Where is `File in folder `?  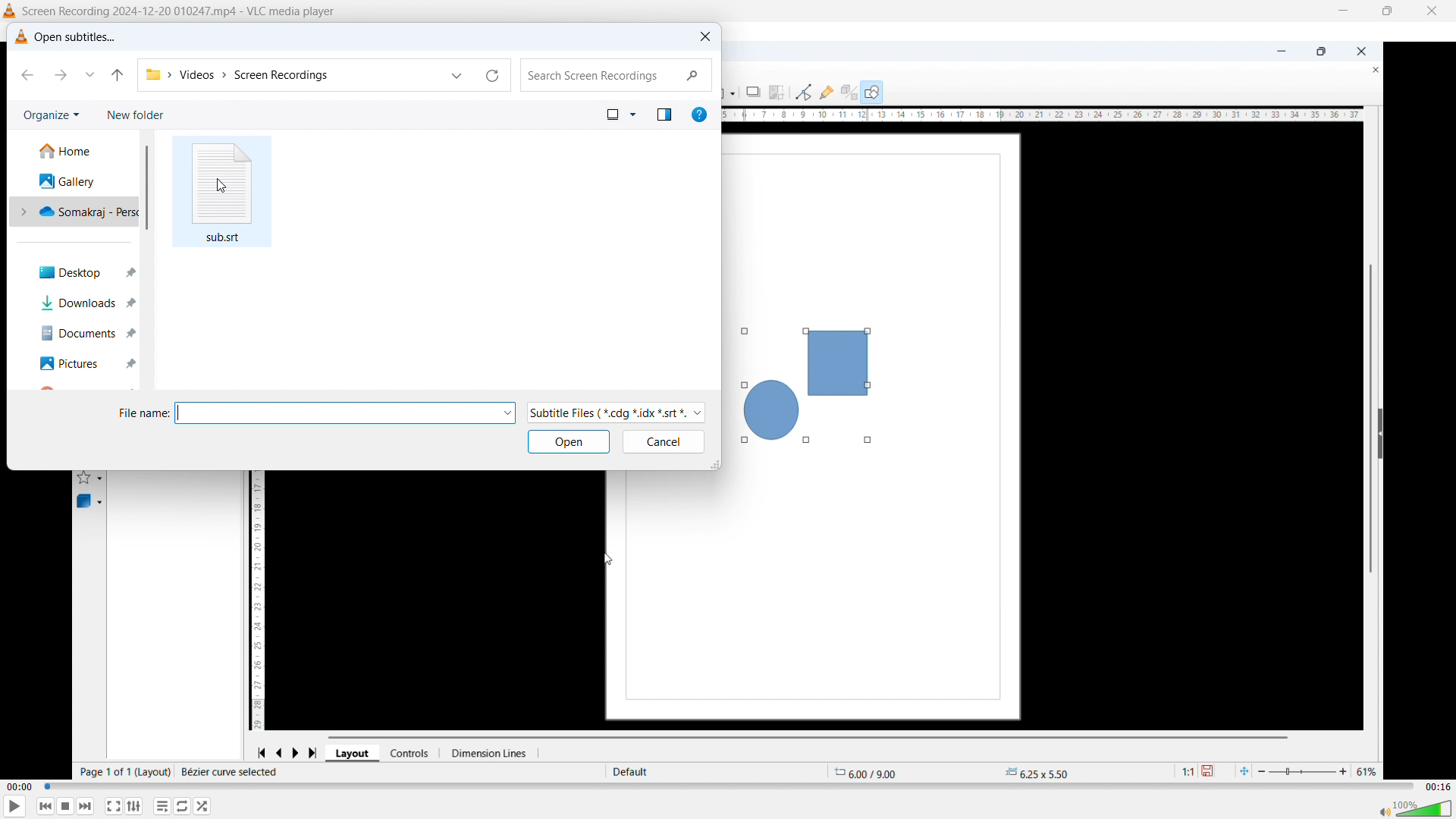
File in folder  is located at coordinates (222, 192).